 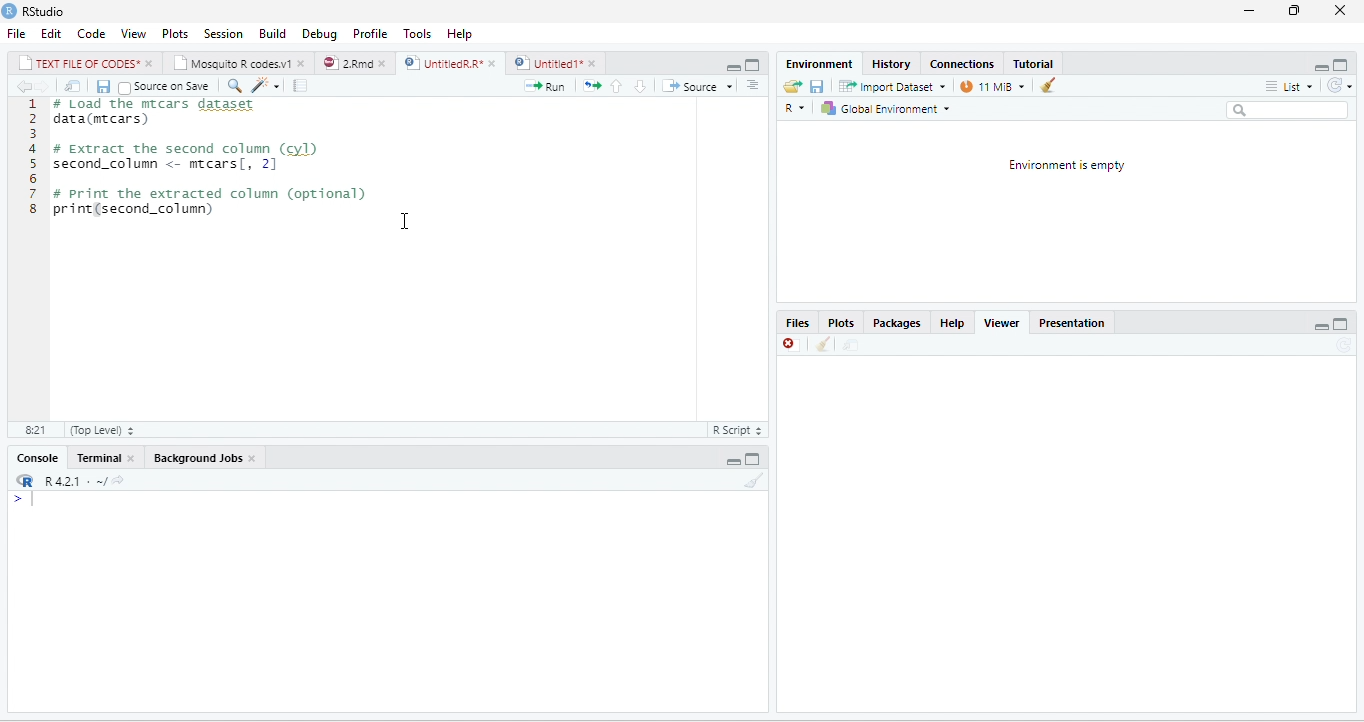 I want to click on minimize, so click(x=735, y=457).